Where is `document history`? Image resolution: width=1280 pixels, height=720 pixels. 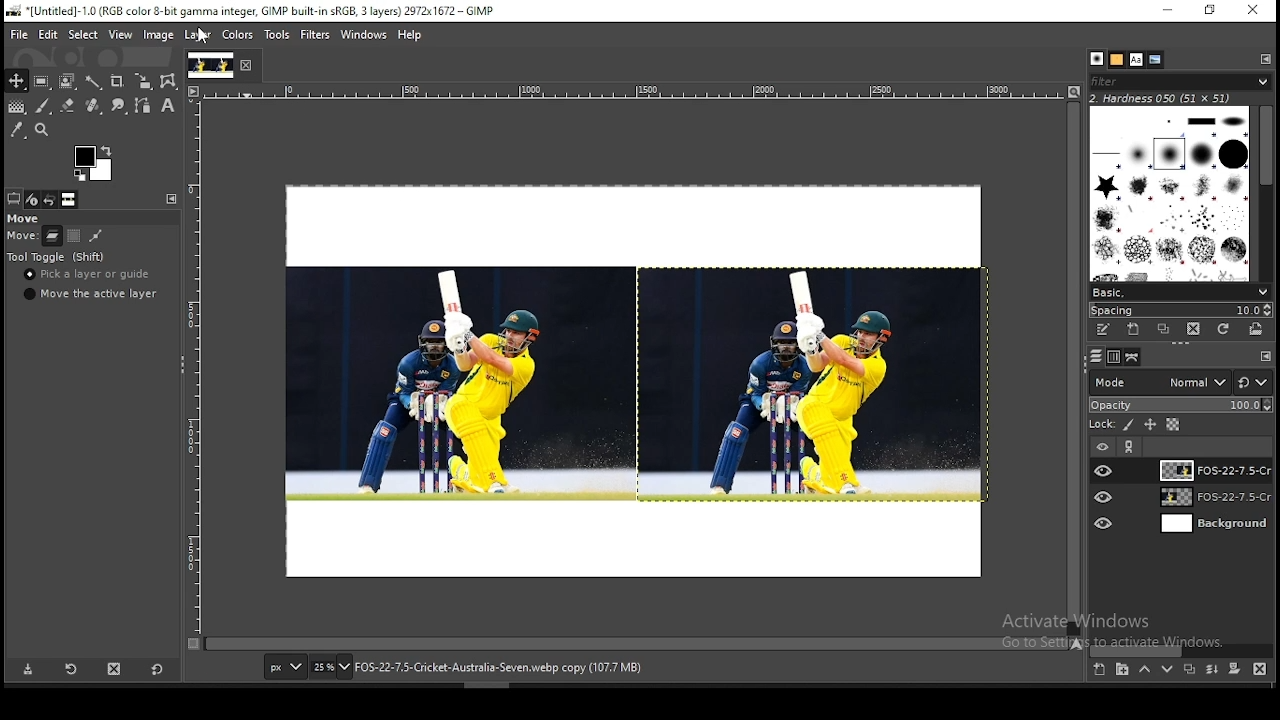 document history is located at coordinates (1156, 60).